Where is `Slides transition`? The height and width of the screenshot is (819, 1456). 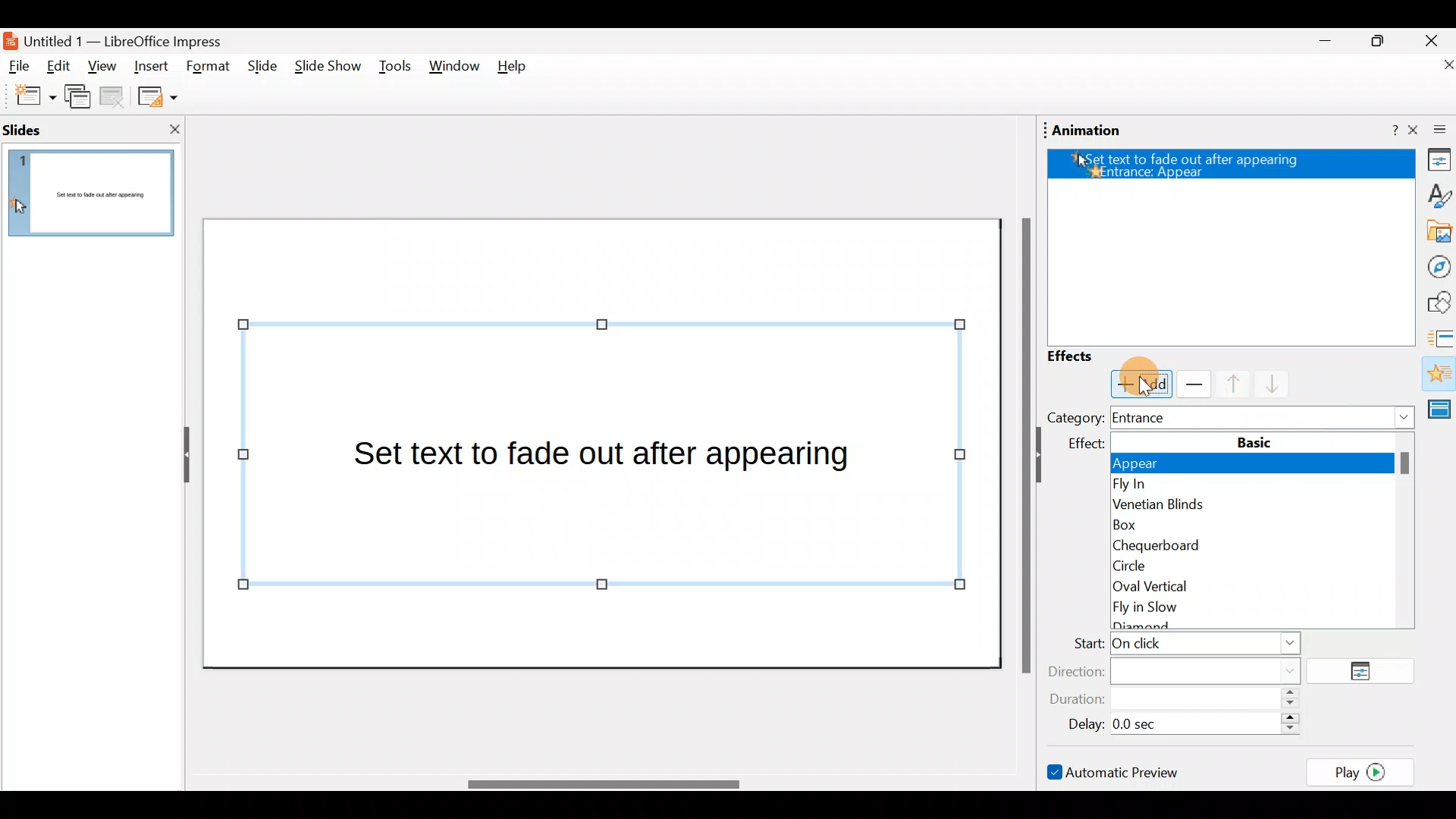 Slides transition is located at coordinates (1441, 337).